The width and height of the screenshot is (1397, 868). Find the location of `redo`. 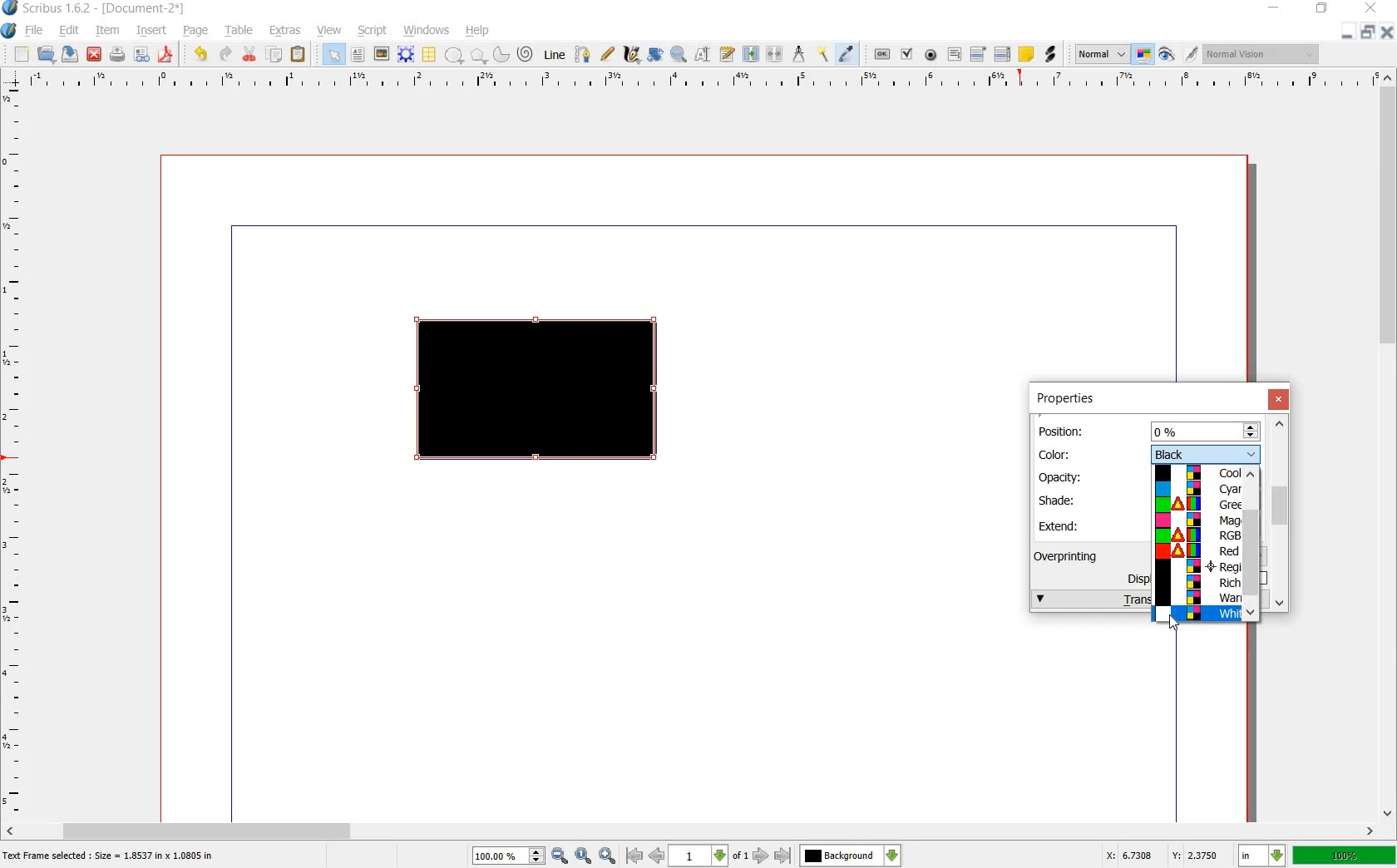

redo is located at coordinates (225, 55).